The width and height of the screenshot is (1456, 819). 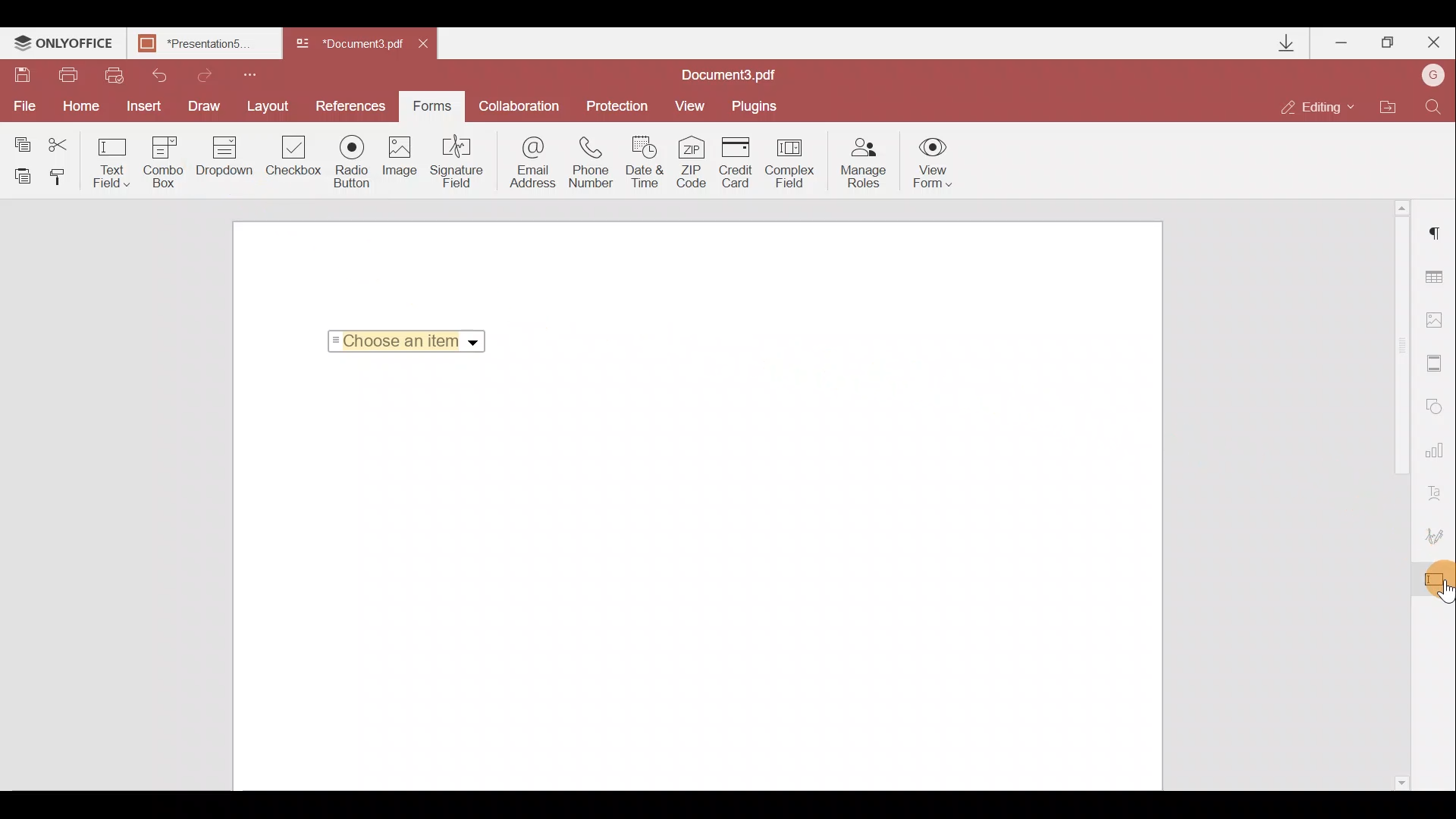 What do you see at coordinates (593, 162) in the screenshot?
I see `Phone number` at bounding box center [593, 162].